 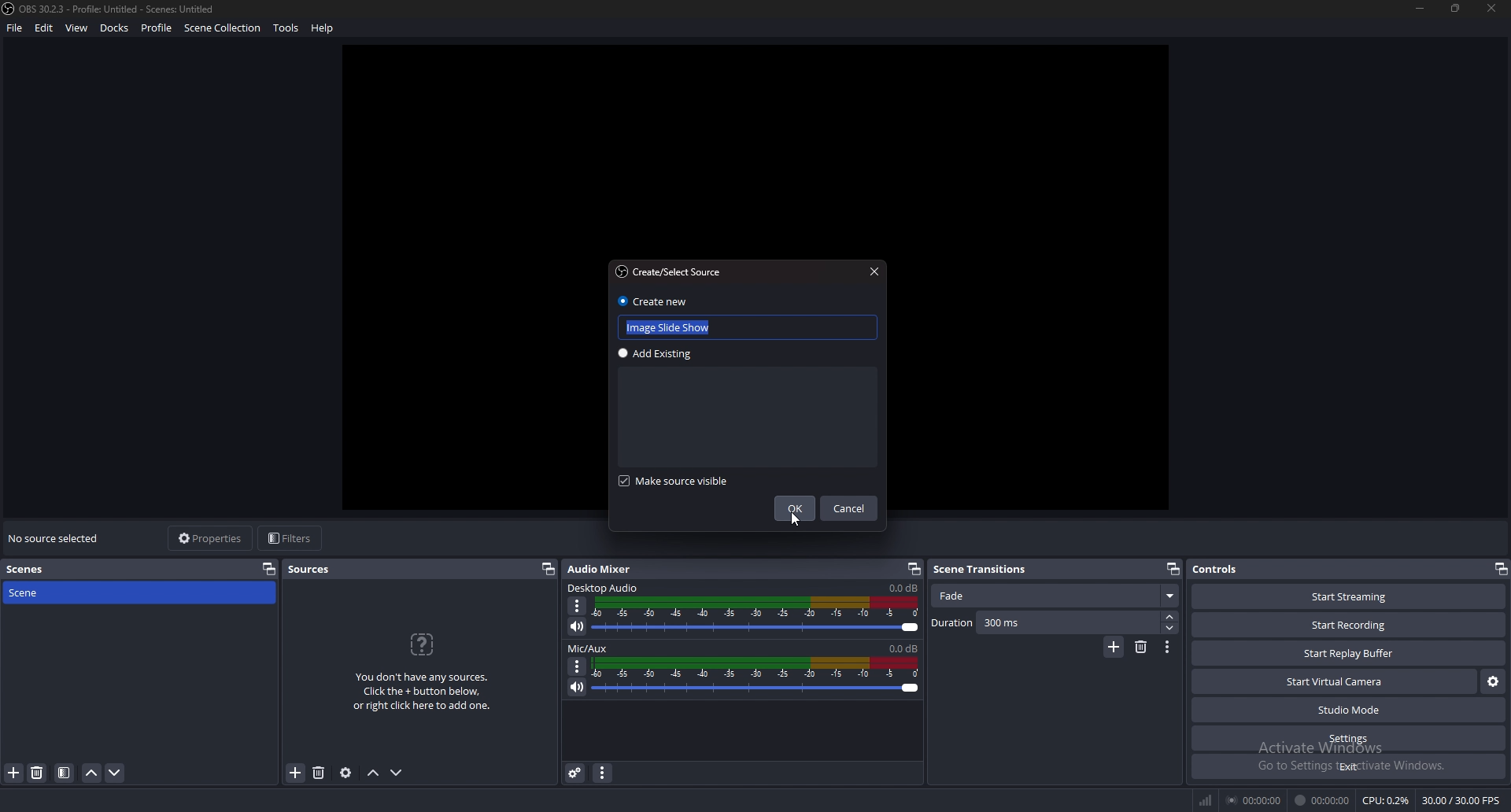 I want to click on filters, so click(x=290, y=538).